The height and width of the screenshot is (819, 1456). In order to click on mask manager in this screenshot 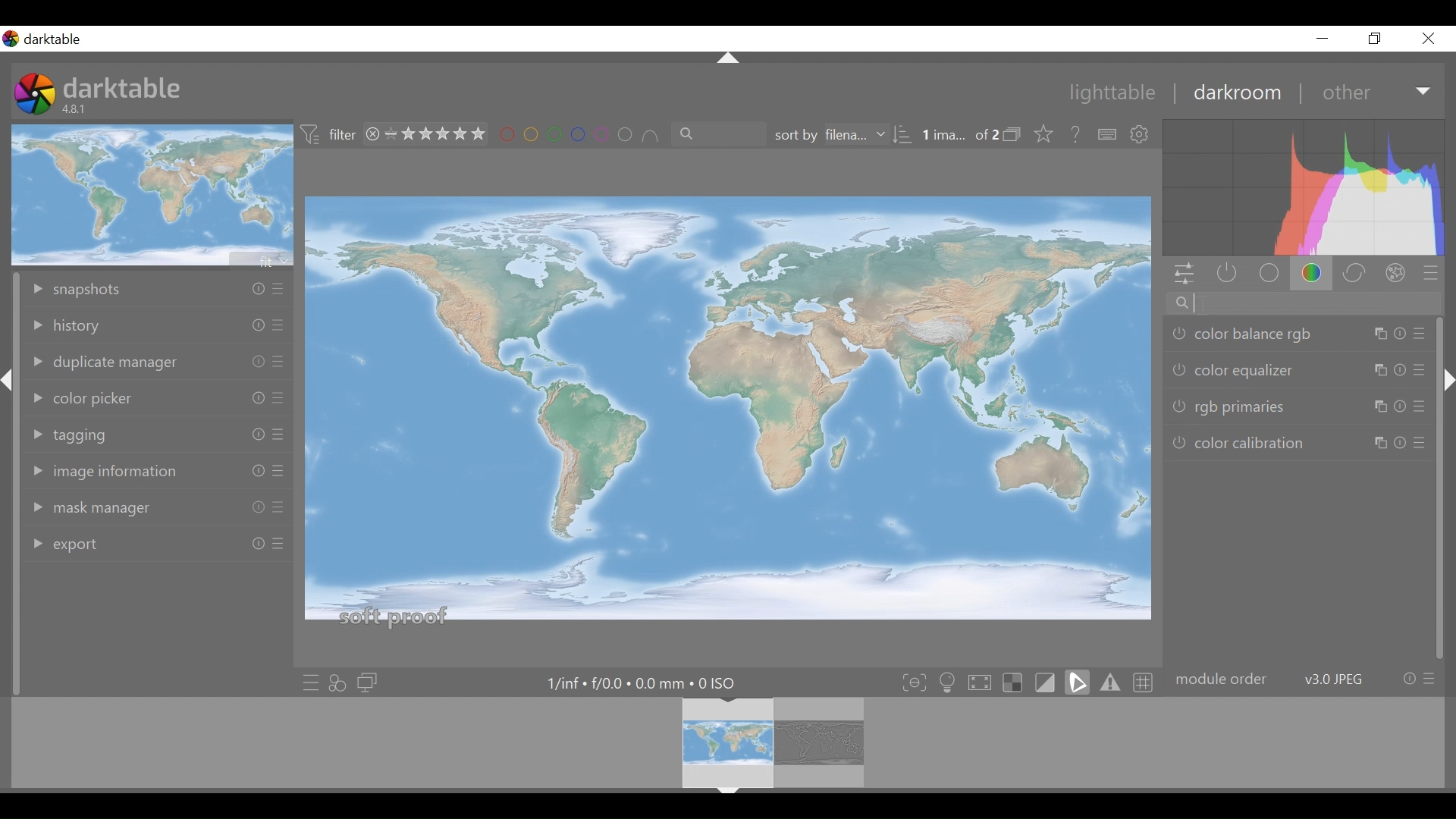, I will do `click(158, 505)`.